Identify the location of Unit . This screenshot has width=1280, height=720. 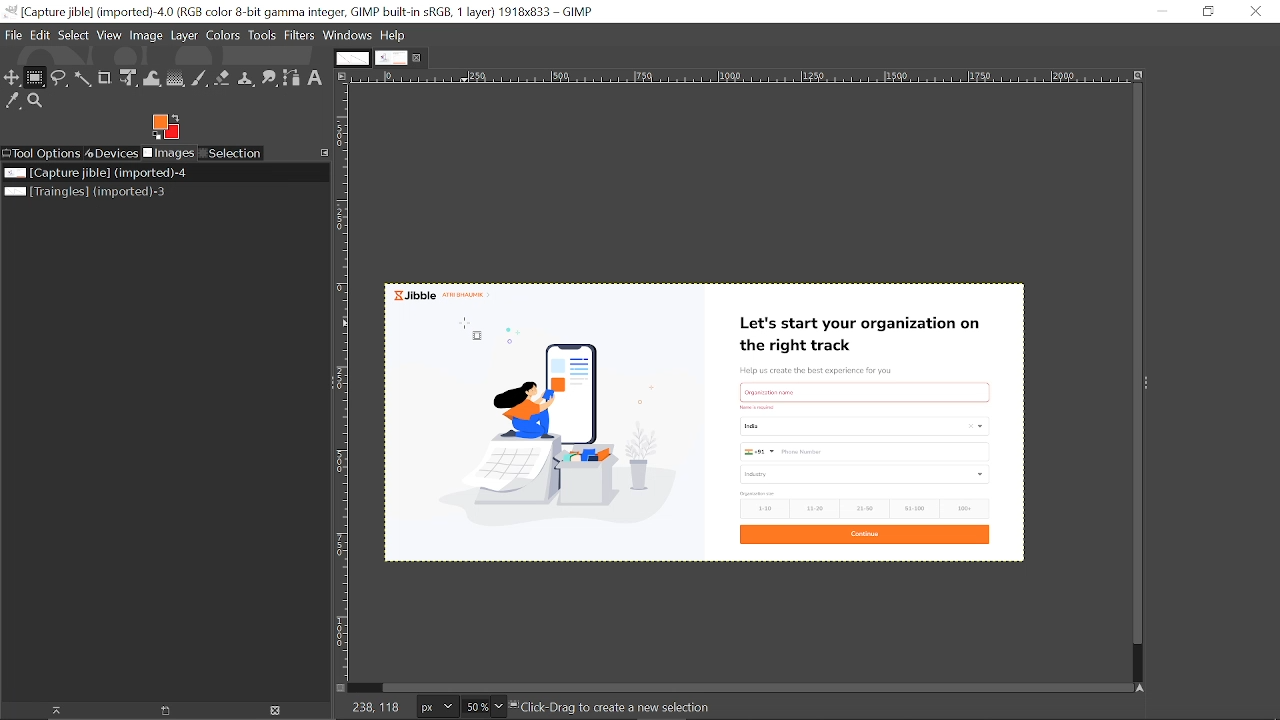
(438, 706).